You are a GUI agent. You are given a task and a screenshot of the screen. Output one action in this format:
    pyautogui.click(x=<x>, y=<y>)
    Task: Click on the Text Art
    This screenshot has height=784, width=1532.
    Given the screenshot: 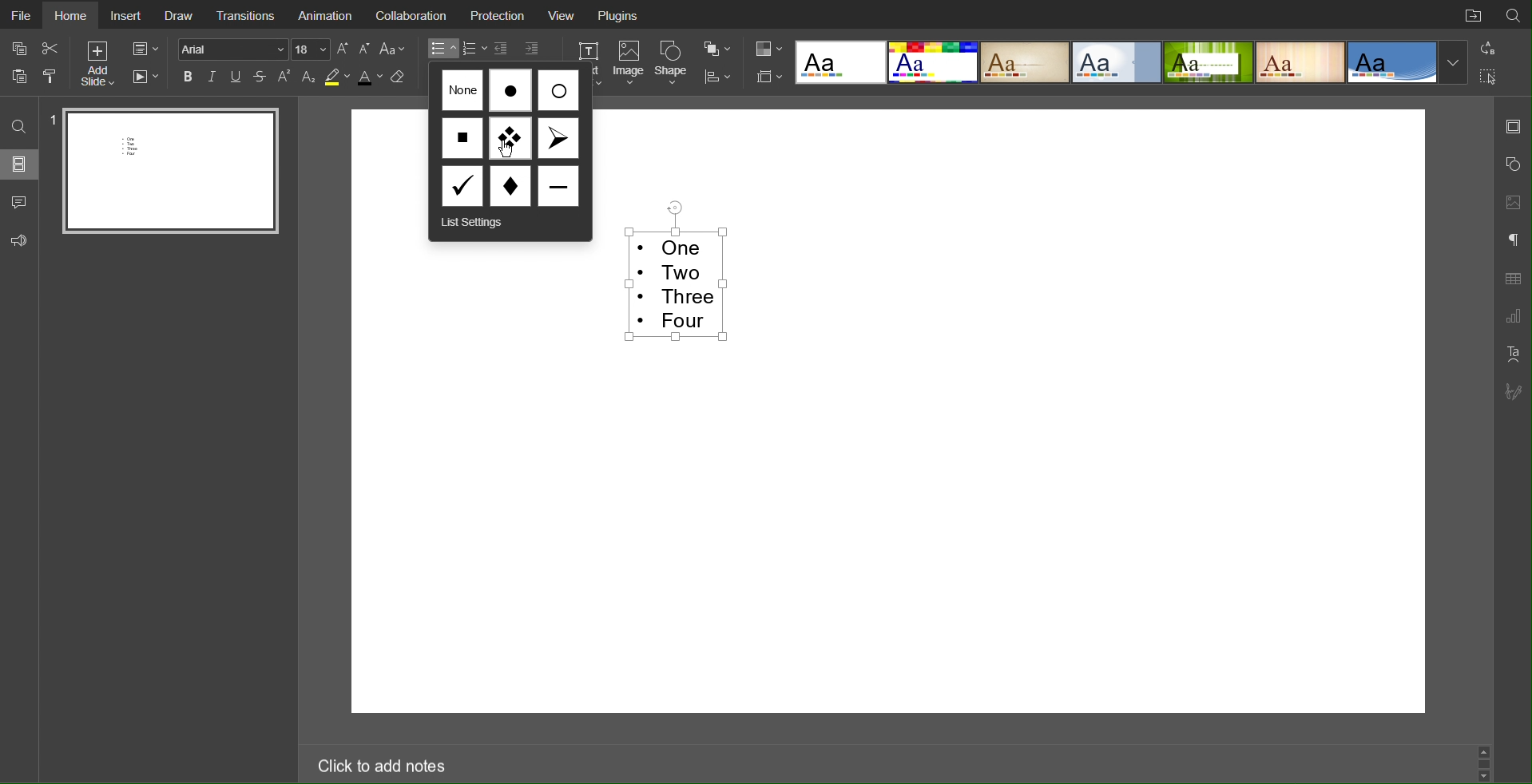 What is the action you would take?
    pyautogui.click(x=1512, y=353)
    